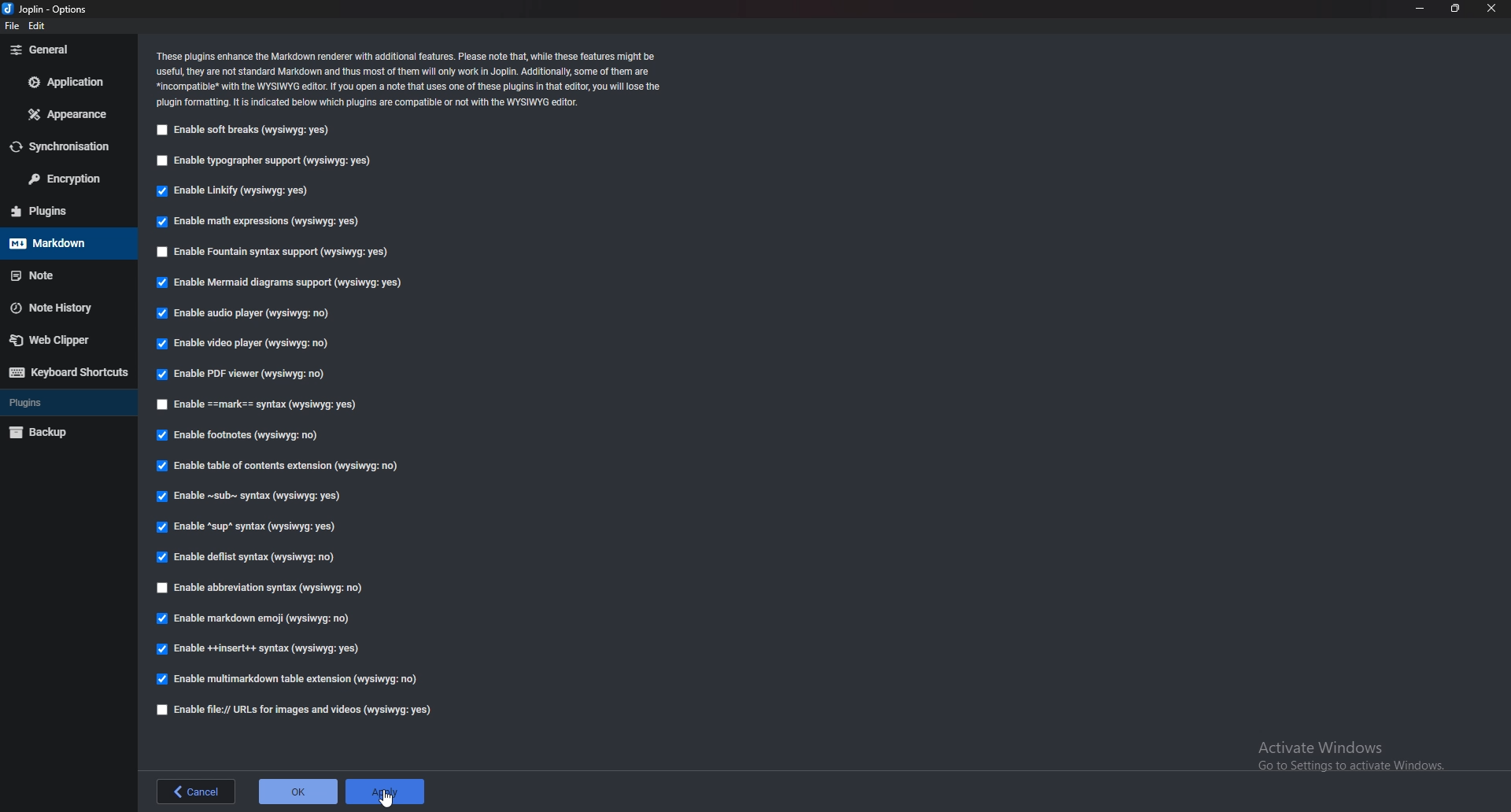 The image size is (1511, 812). What do you see at coordinates (65, 50) in the screenshot?
I see `General` at bounding box center [65, 50].